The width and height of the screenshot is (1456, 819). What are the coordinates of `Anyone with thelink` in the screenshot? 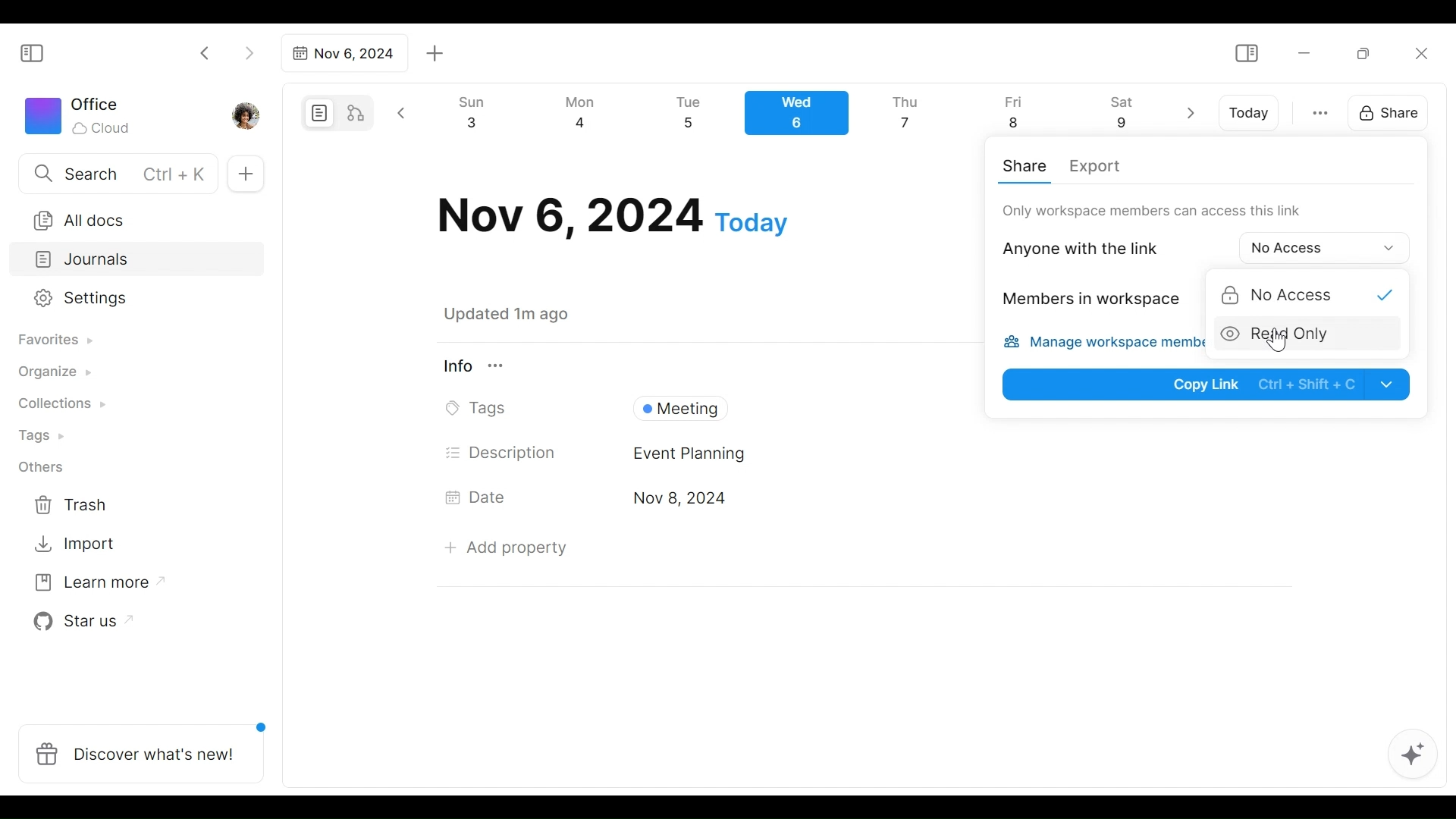 It's located at (1094, 247).